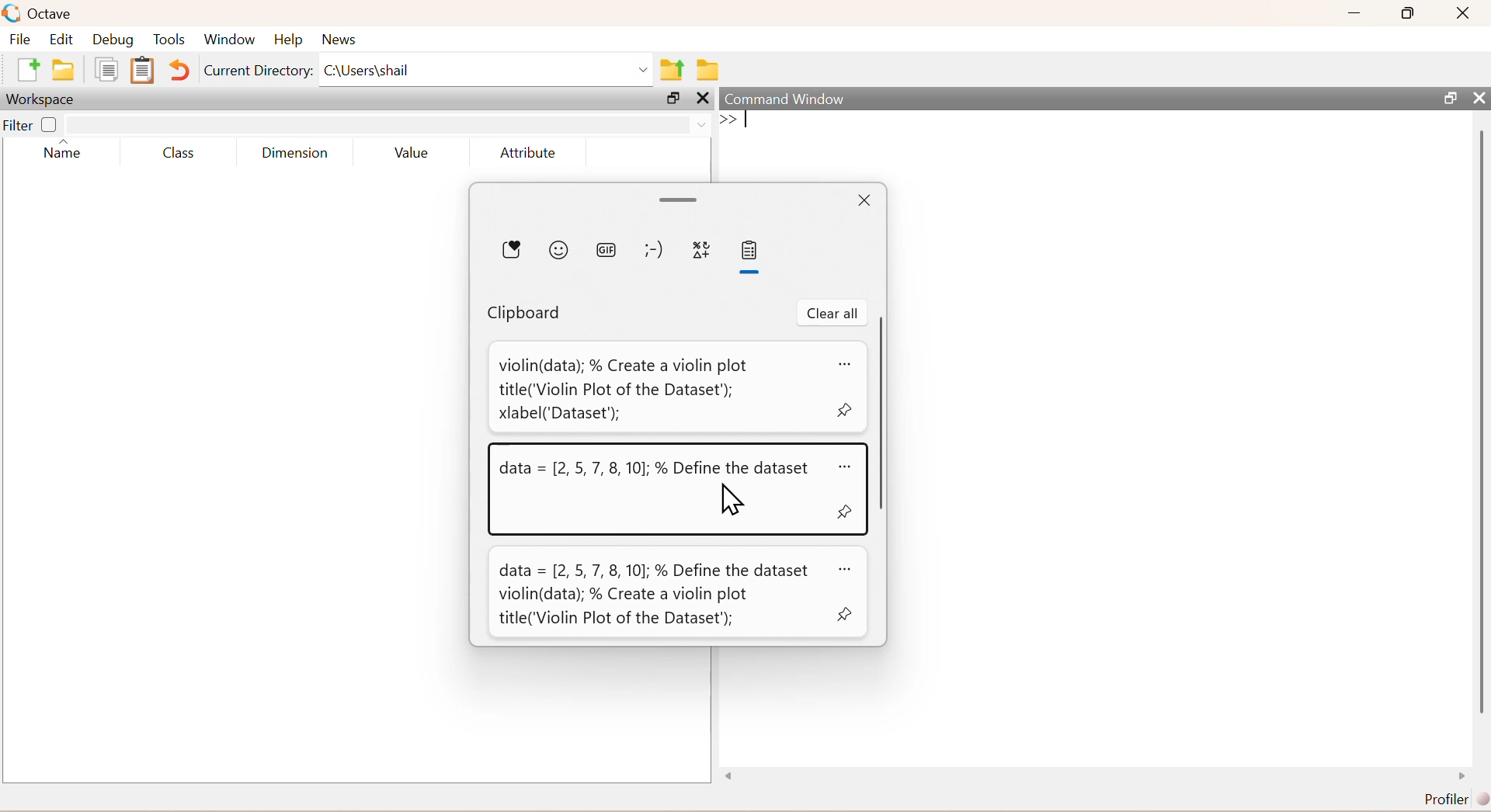  What do you see at coordinates (865, 201) in the screenshot?
I see `close` at bounding box center [865, 201].